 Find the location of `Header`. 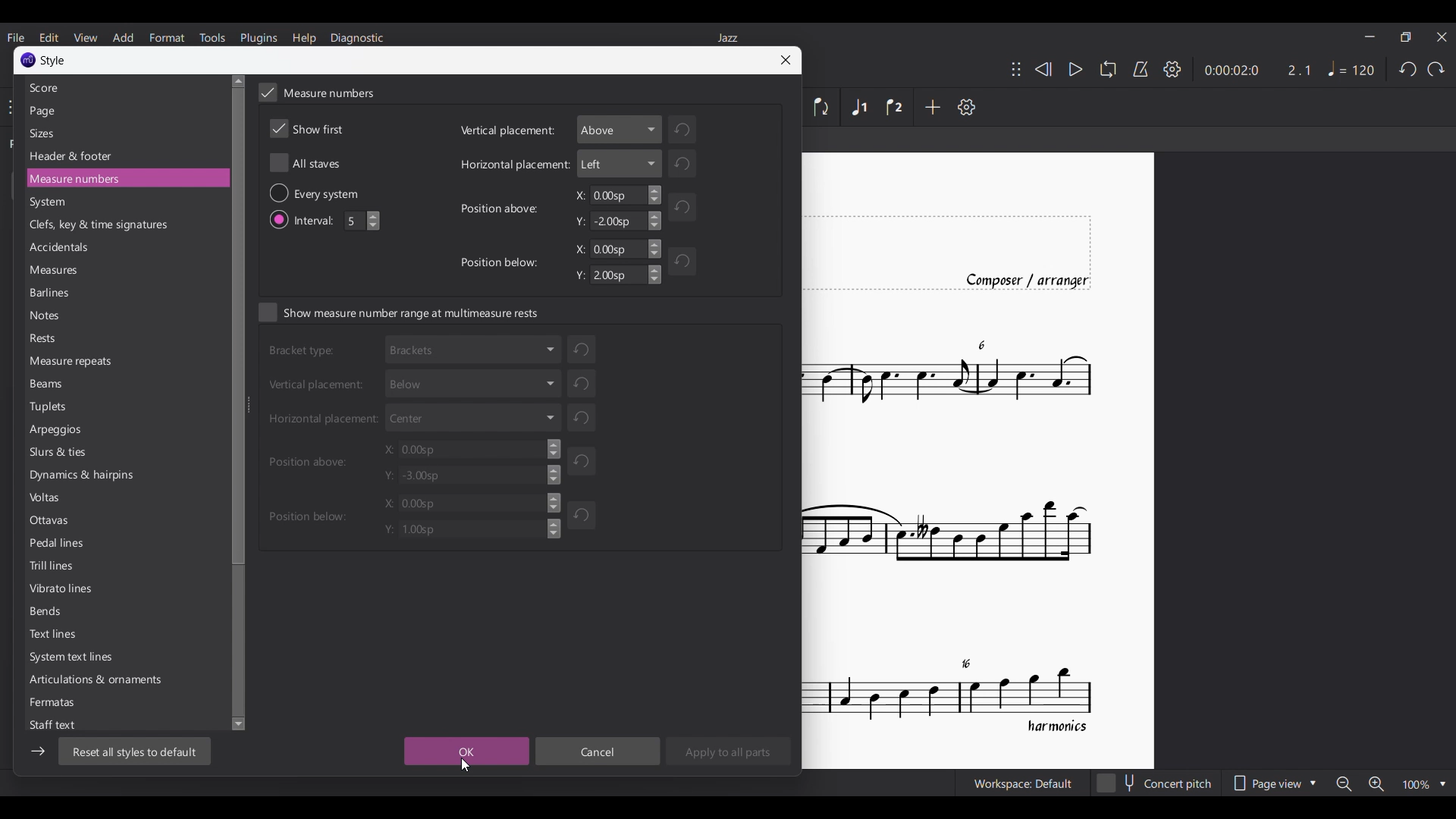

Header is located at coordinates (72, 157).